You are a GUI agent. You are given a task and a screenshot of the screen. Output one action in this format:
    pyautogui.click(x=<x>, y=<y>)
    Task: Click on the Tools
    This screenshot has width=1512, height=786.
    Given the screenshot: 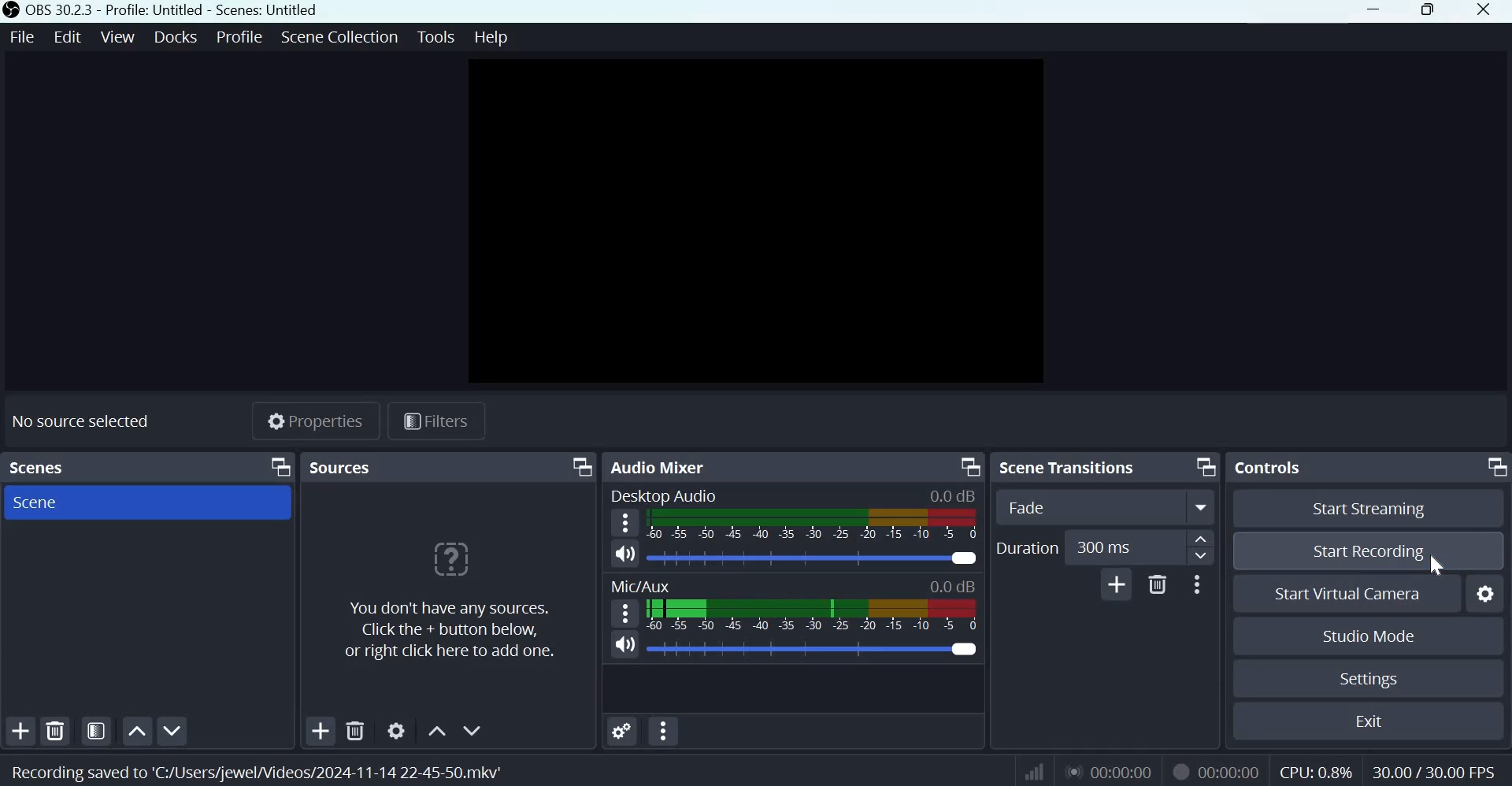 What is the action you would take?
    pyautogui.click(x=437, y=37)
    